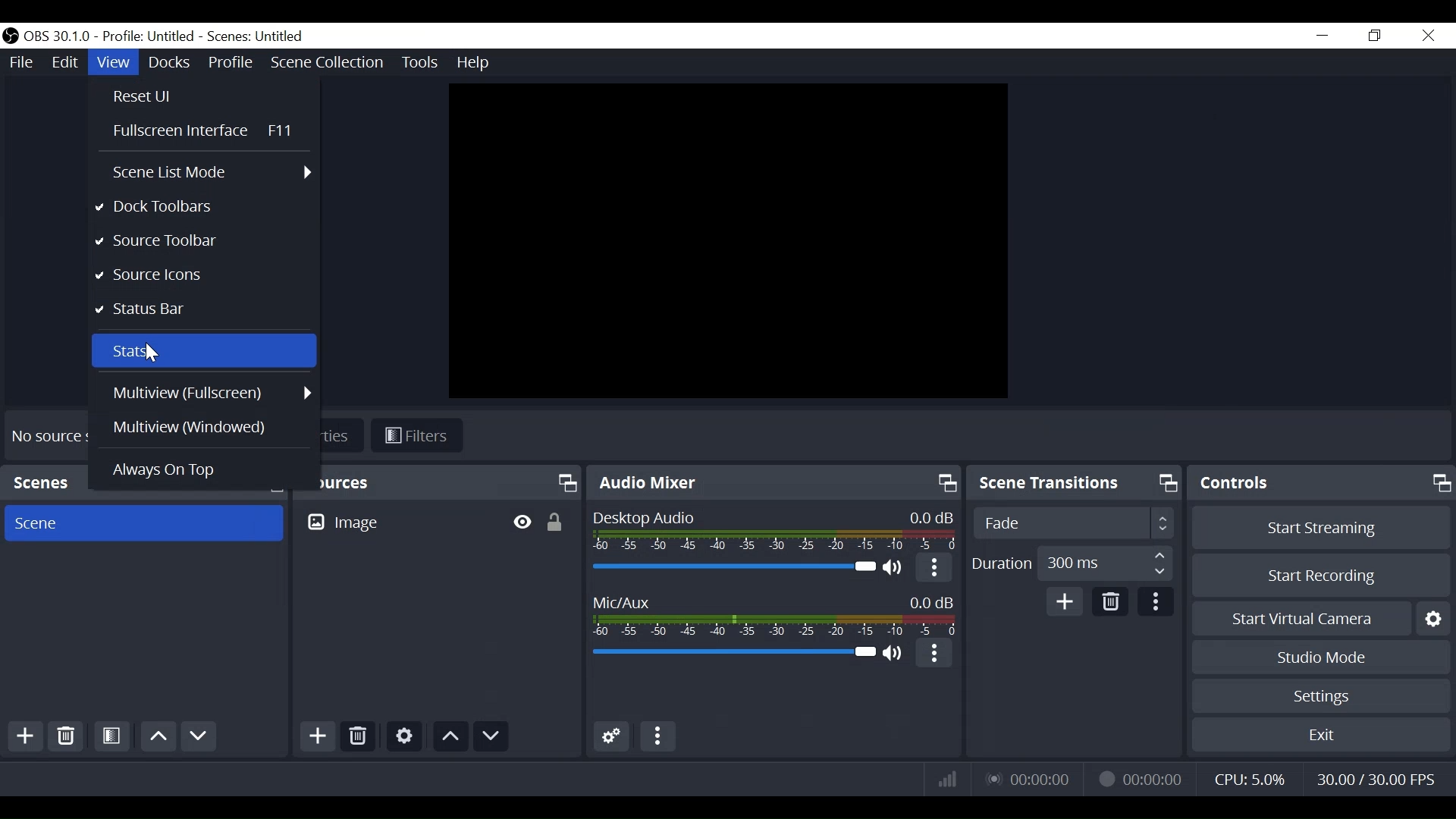 This screenshot has height=819, width=1456. Describe the element at coordinates (329, 63) in the screenshot. I see `Scene Collection` at that location.